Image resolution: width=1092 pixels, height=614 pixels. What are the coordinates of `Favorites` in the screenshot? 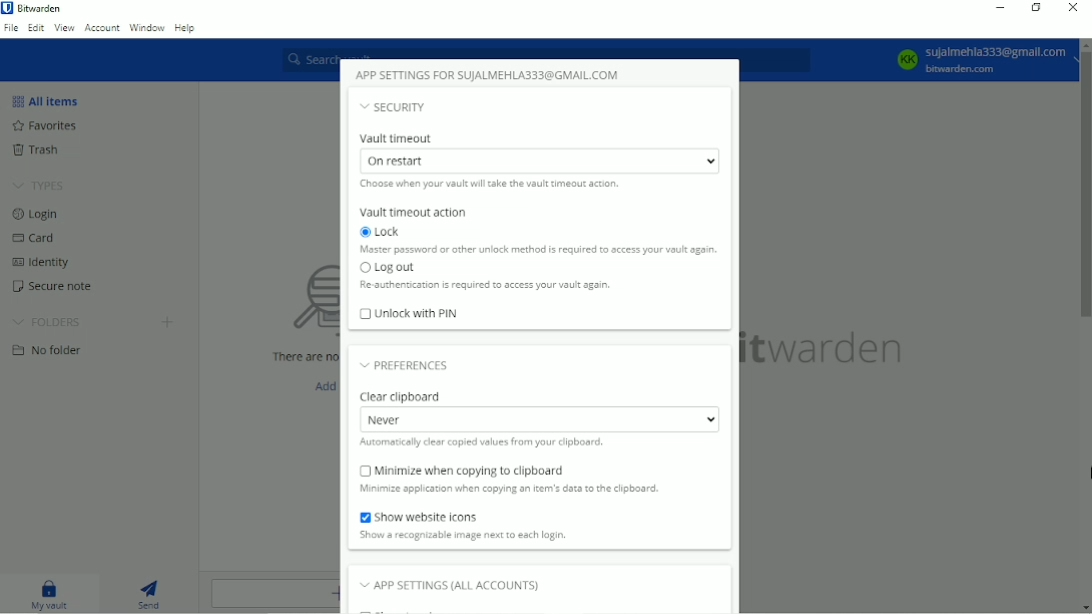 It's located at (44, 125).